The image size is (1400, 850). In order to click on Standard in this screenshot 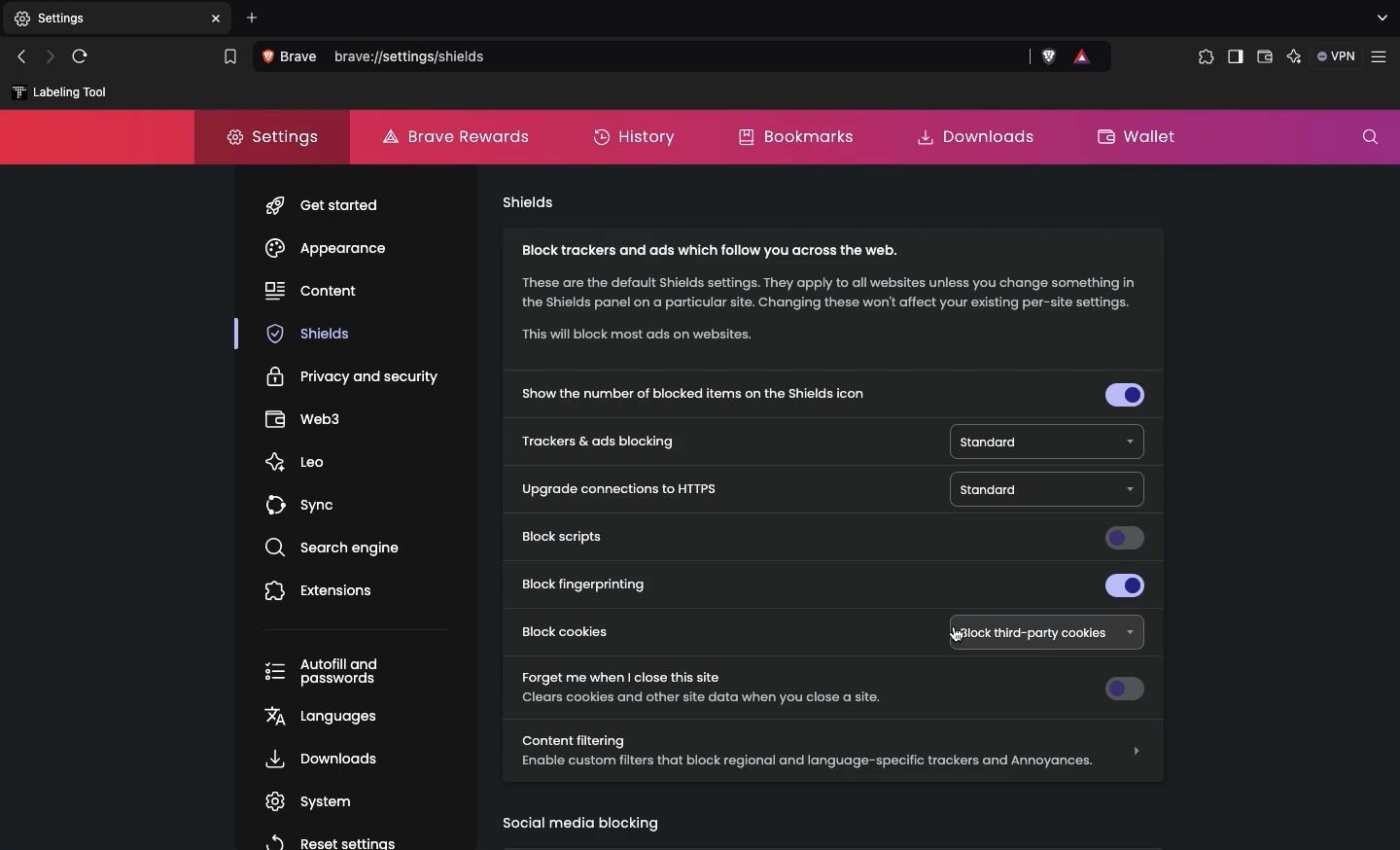, I will do `click(1042, 441)`.